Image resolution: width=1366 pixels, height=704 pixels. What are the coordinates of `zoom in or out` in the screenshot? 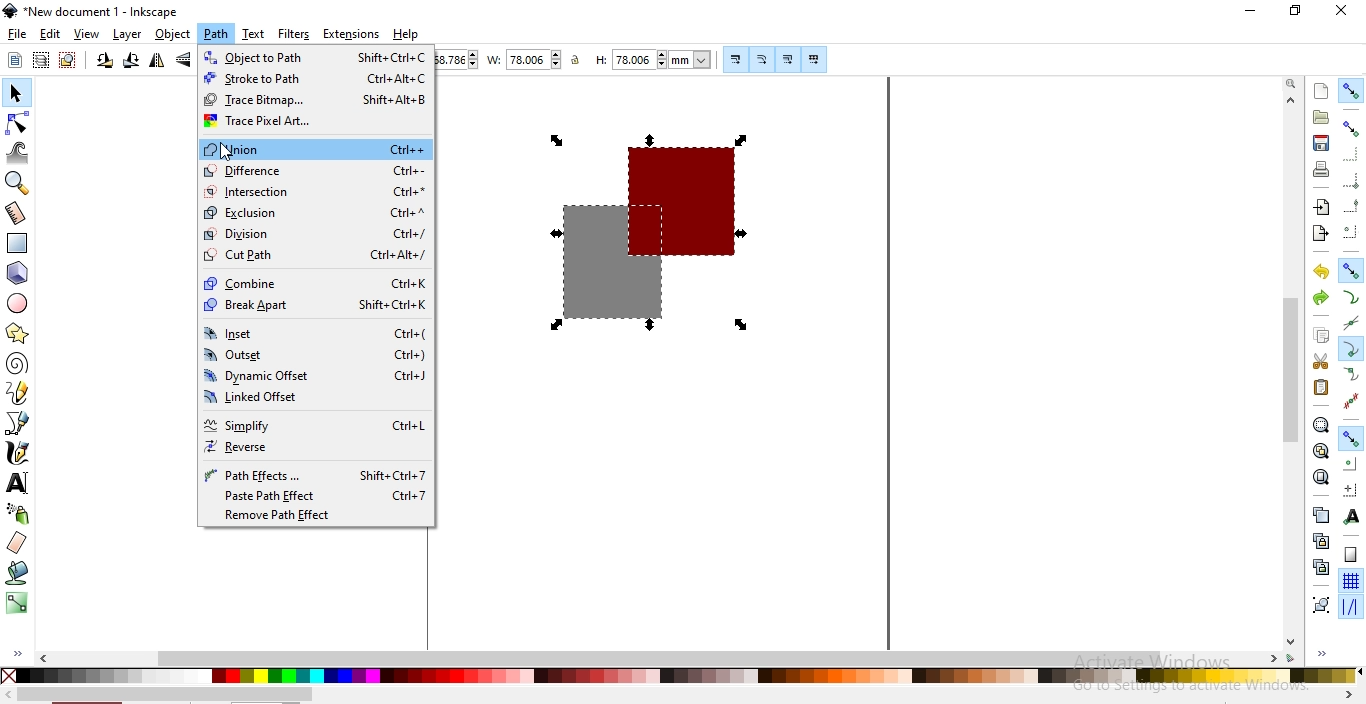 It's located at (15, 183).